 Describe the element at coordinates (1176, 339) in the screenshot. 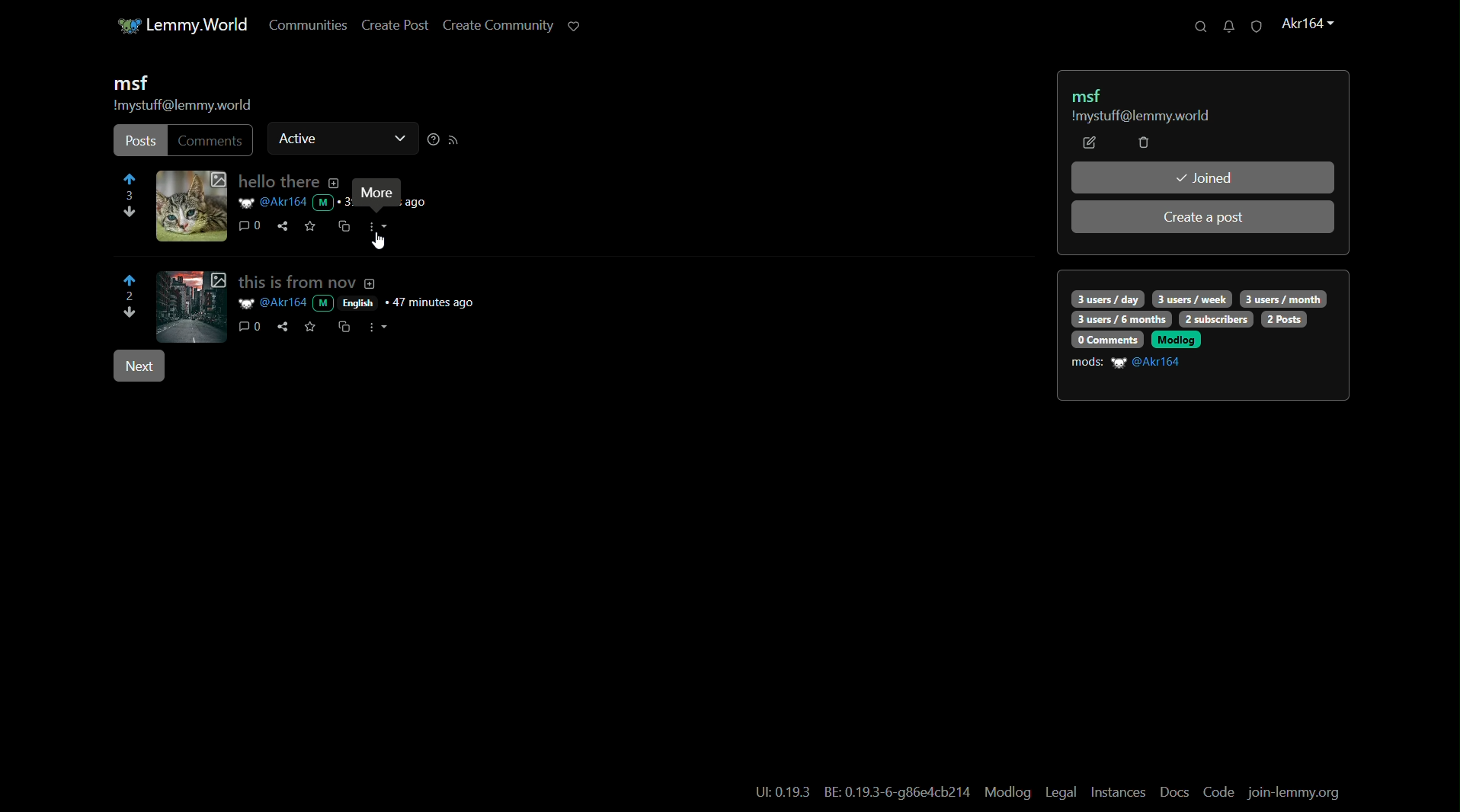

I see `modlog` at that location.